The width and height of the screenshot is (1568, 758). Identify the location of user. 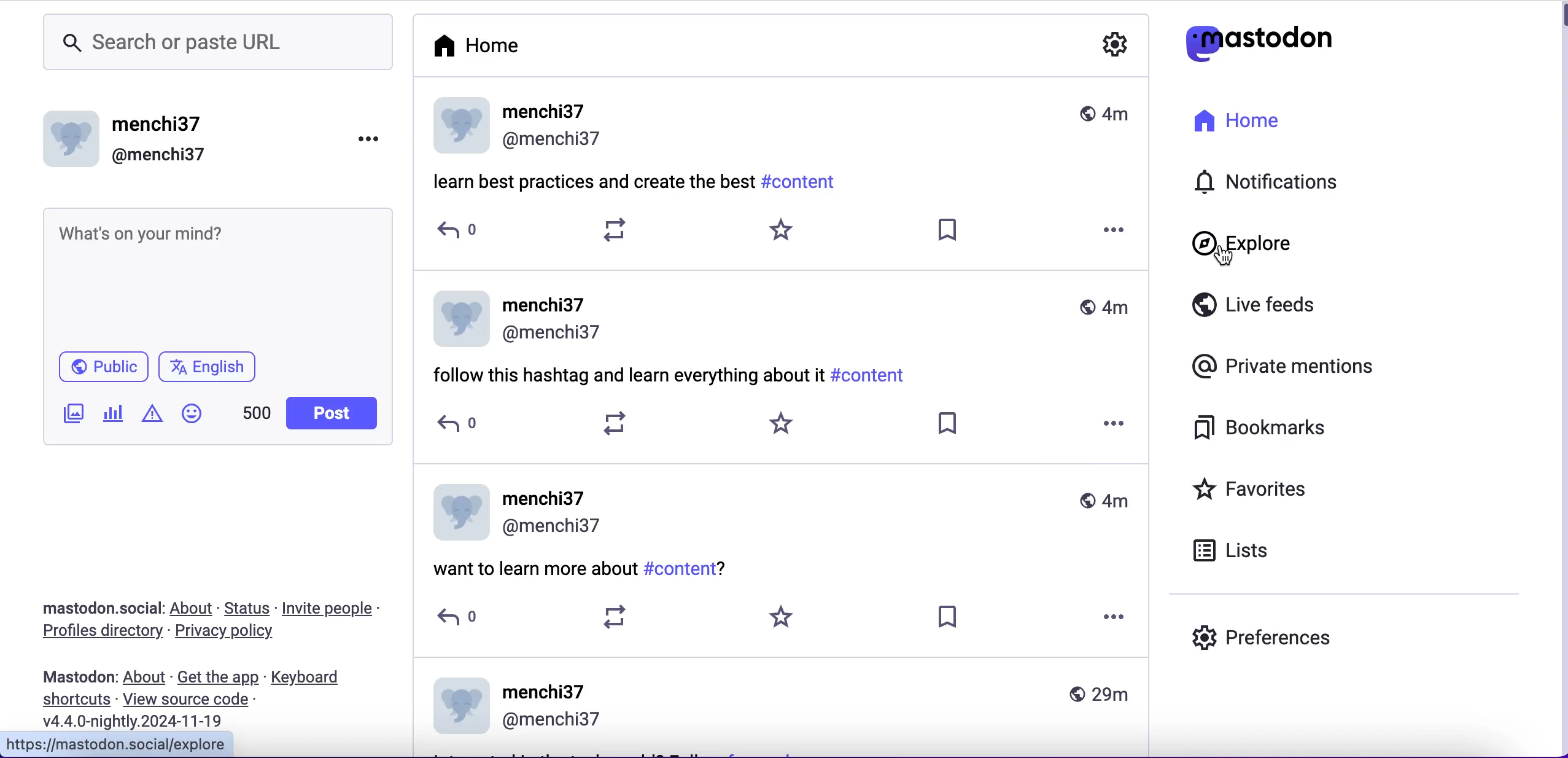
(780, 318).